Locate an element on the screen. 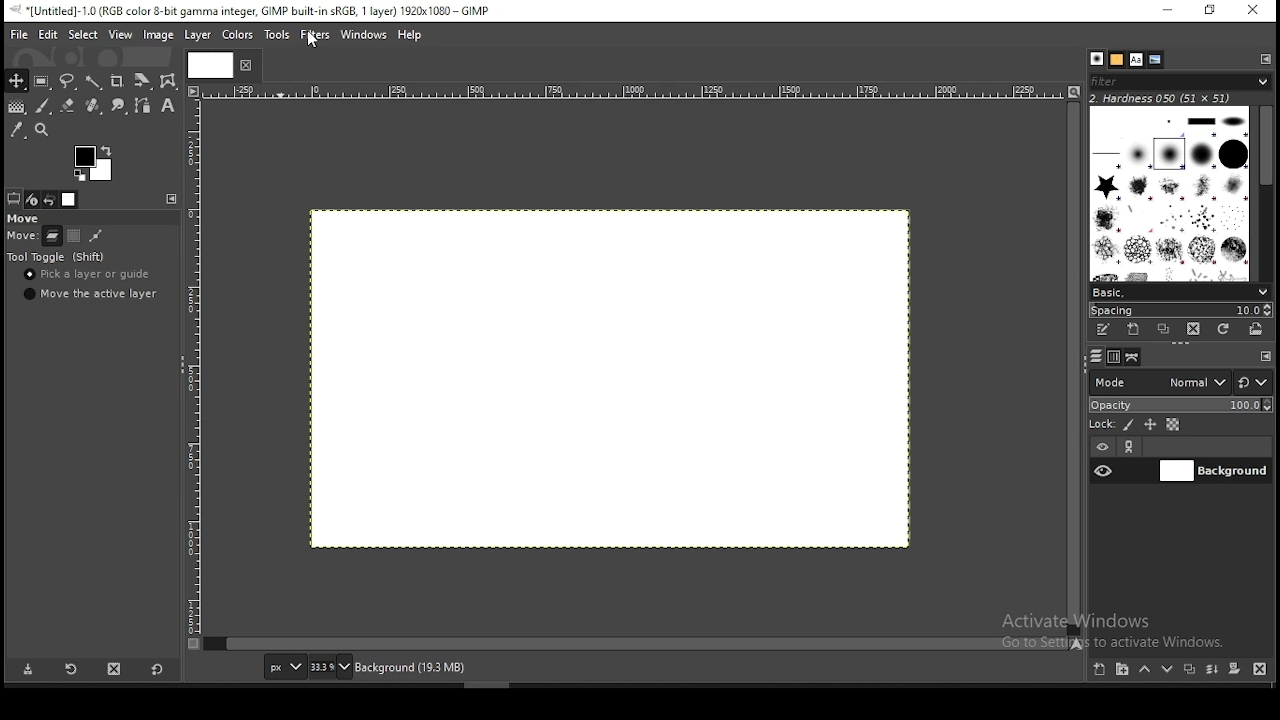 The height and width of the screenshot is (720, 1280). move paths is located at coordinates (95, 237).